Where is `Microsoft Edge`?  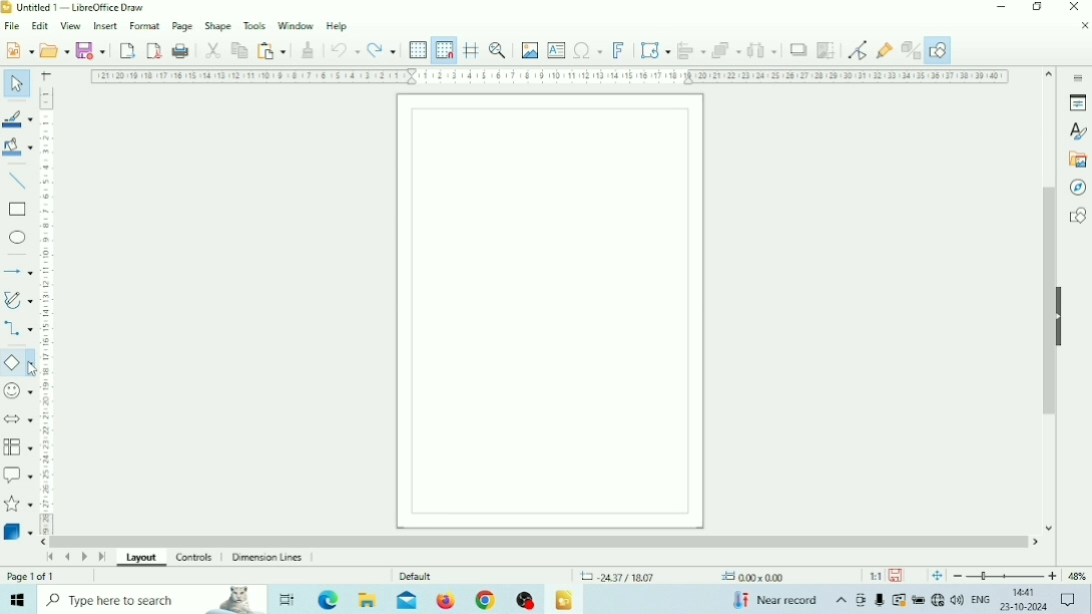
Microsoft Edge is located at coordinates (330, 599).